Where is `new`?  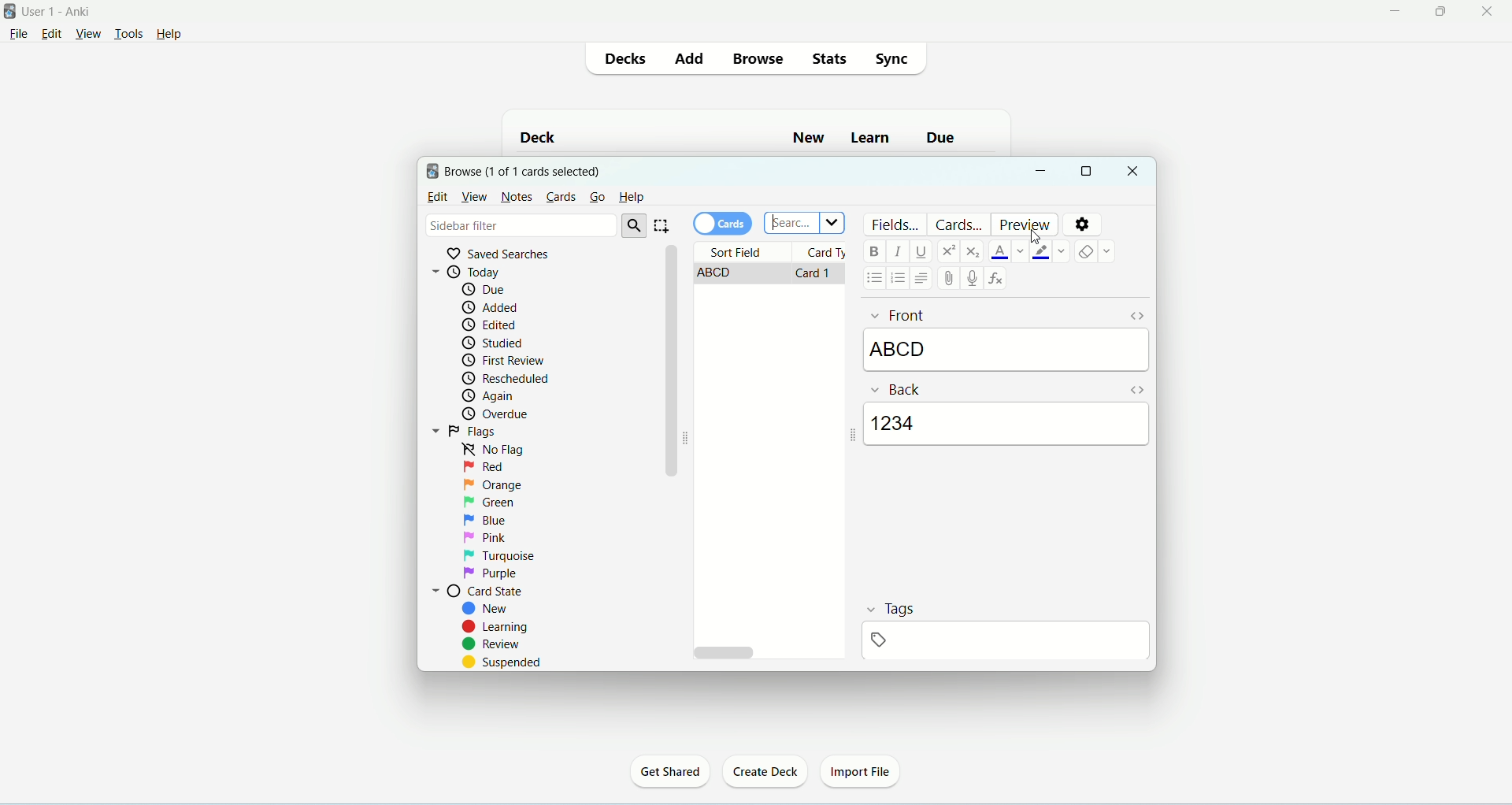 new is located at coordinates (812, 137).